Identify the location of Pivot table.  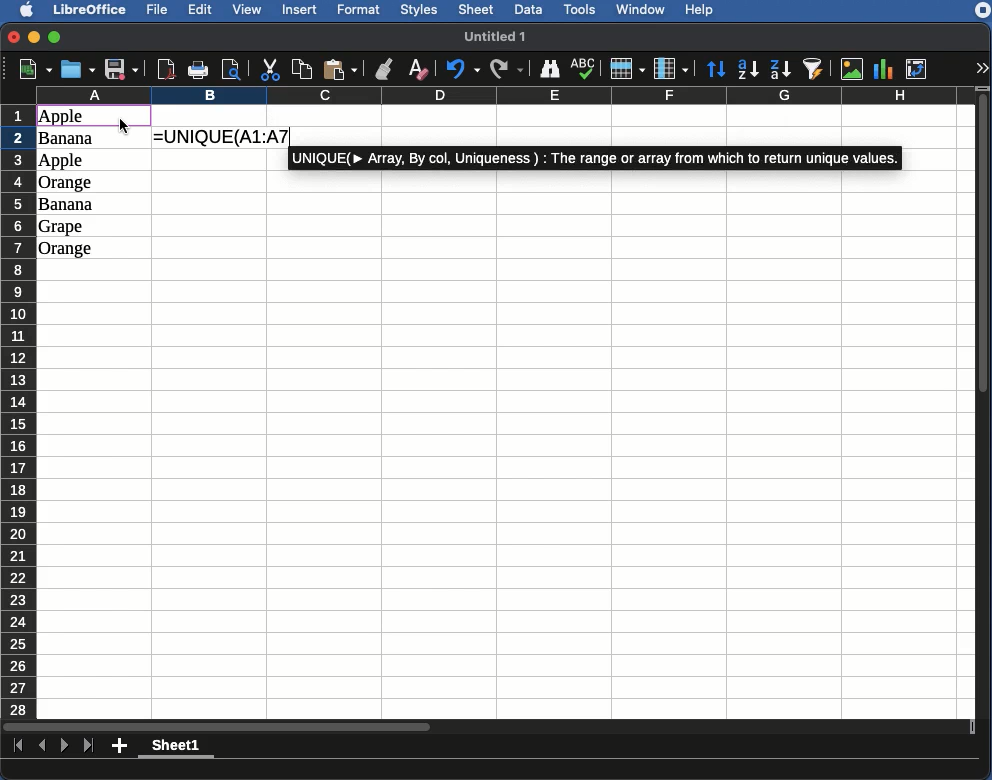
(919, 67).